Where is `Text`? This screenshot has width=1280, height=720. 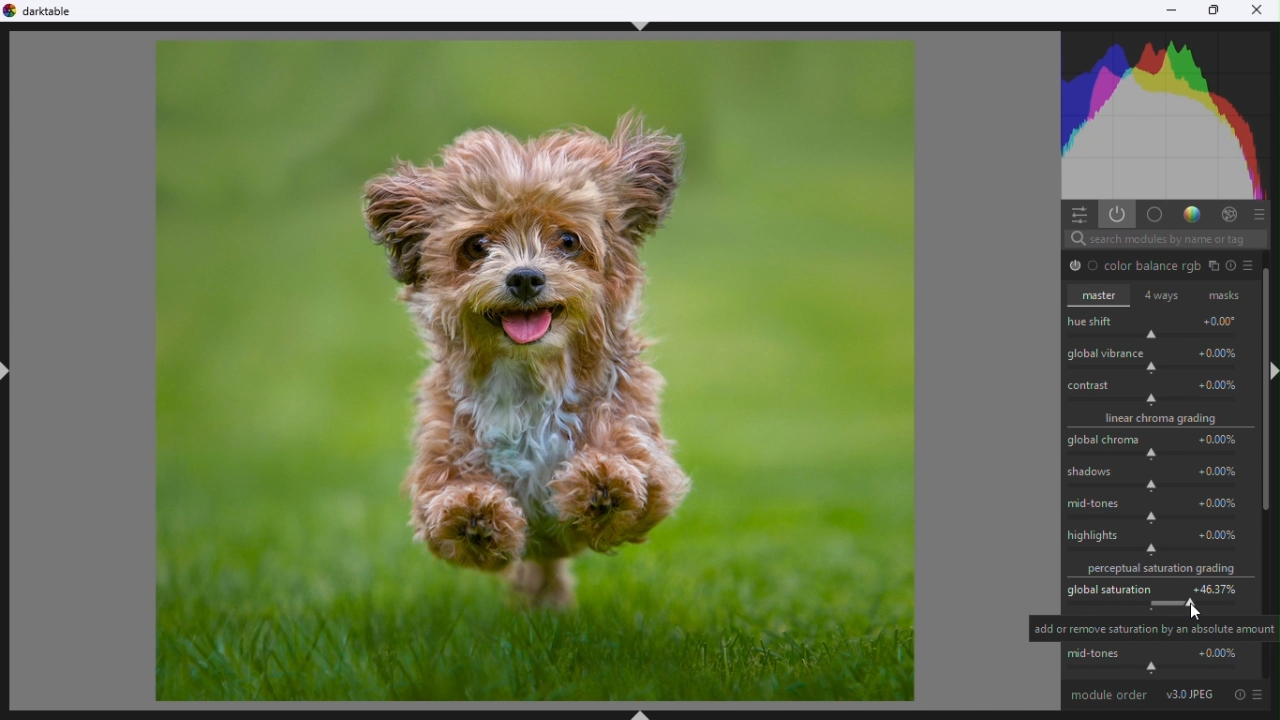 Text is located at coordinates (1154, 629).